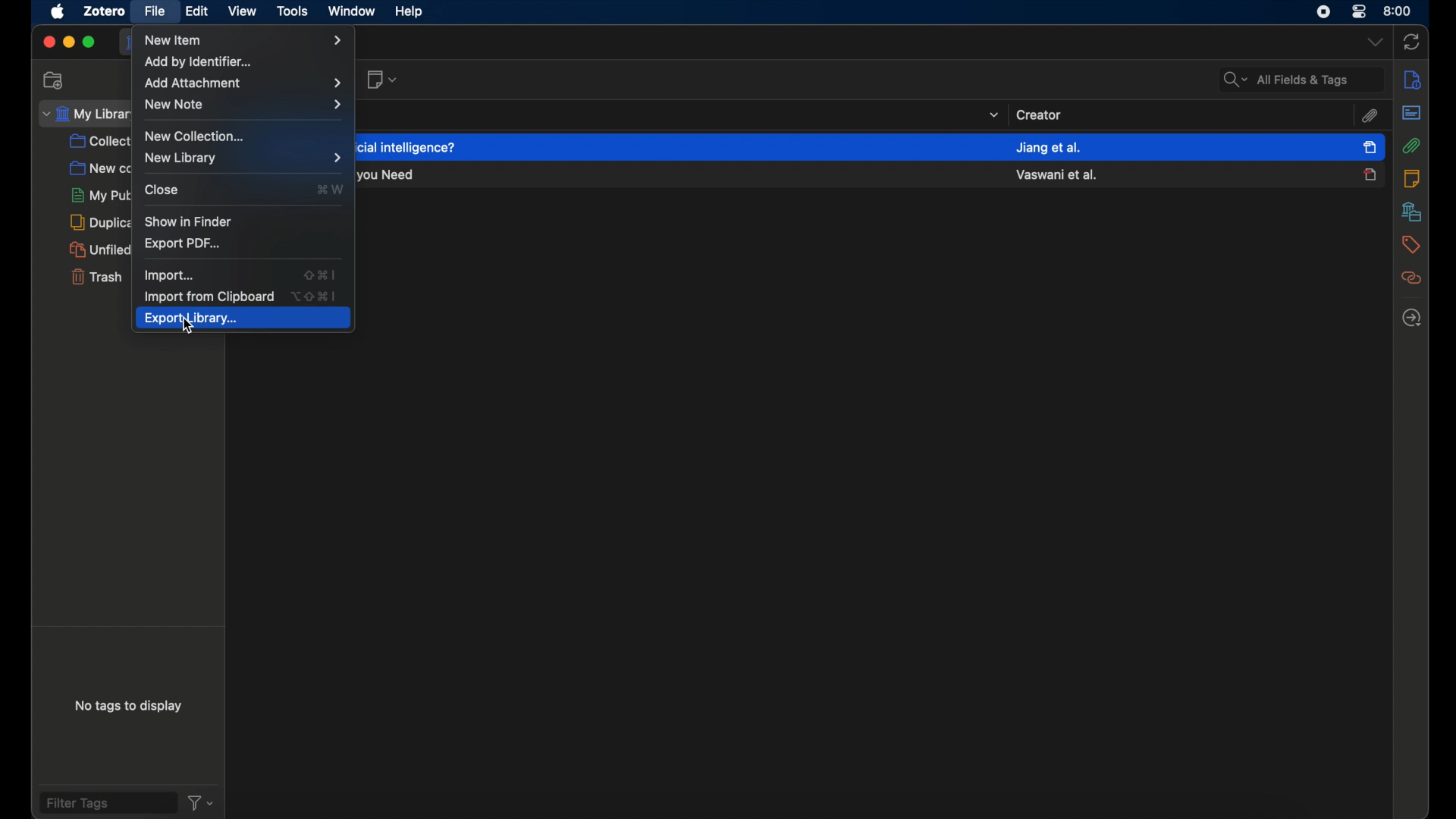 This screenshot has width=1456, height=819. I want to click on sync, so click(1412, 40).